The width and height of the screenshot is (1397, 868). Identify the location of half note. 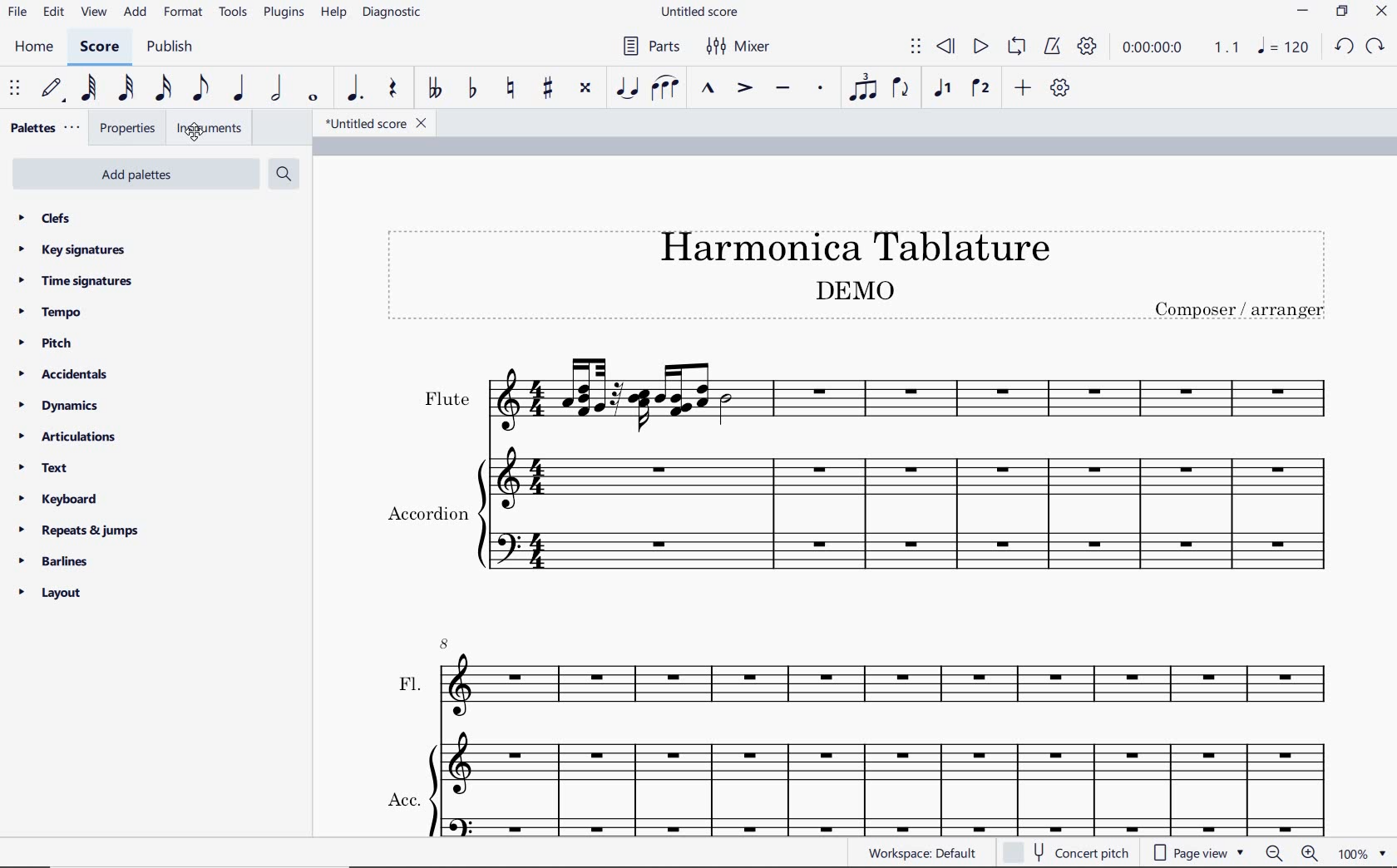
(279, 89).